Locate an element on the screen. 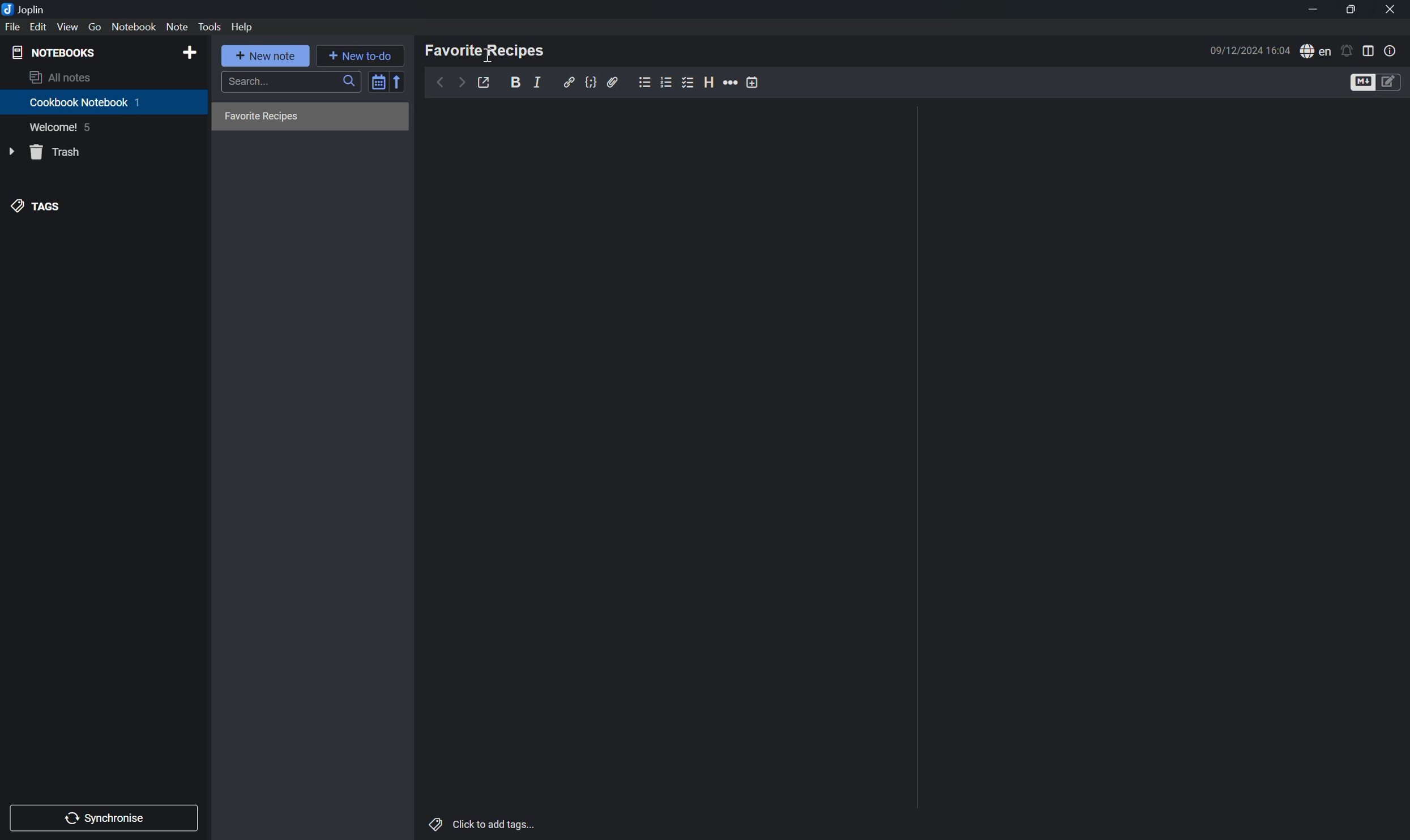  Reverse sort order is located at coordinates (397, 82).